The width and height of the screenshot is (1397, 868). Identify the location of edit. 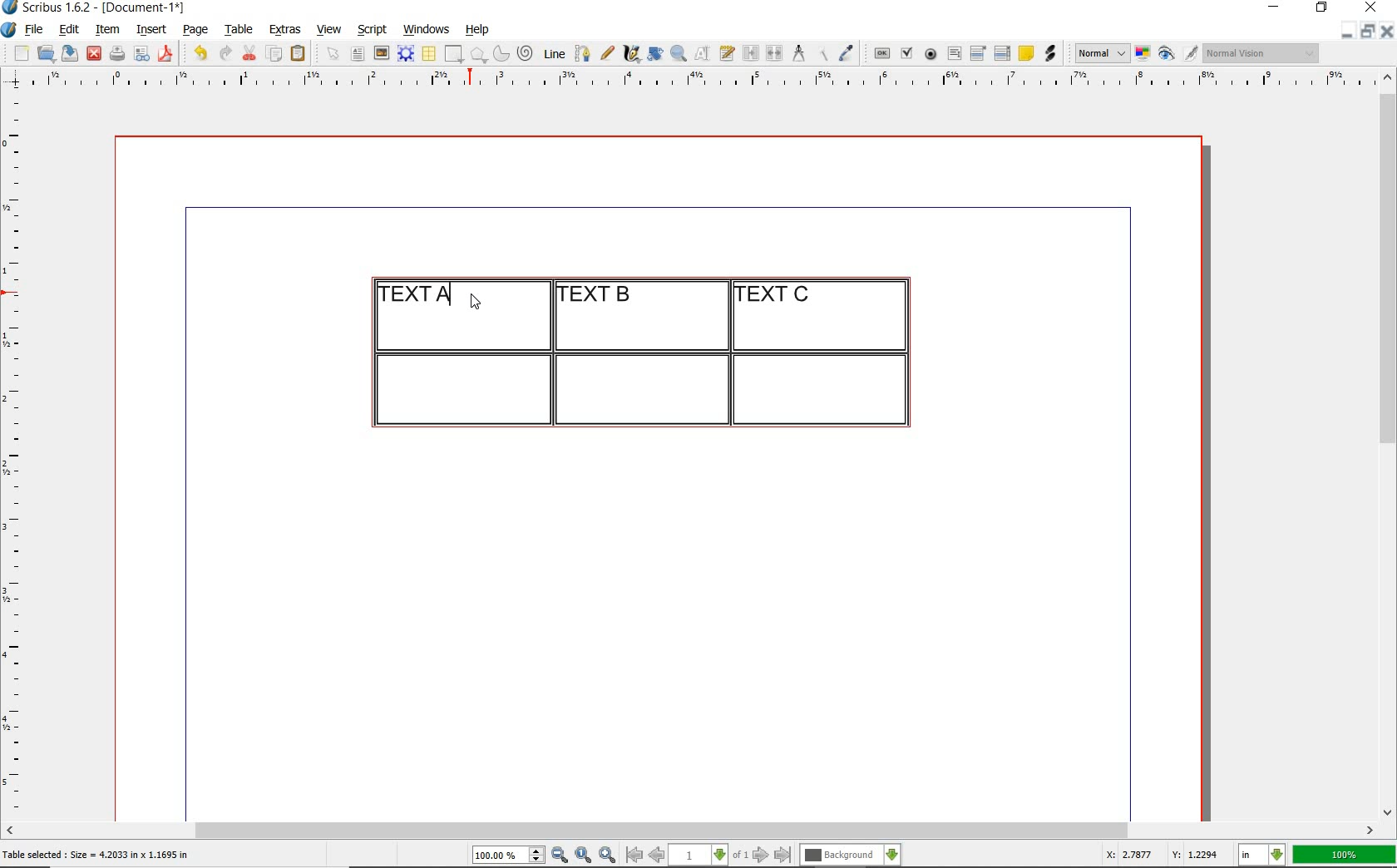
(70, 29).